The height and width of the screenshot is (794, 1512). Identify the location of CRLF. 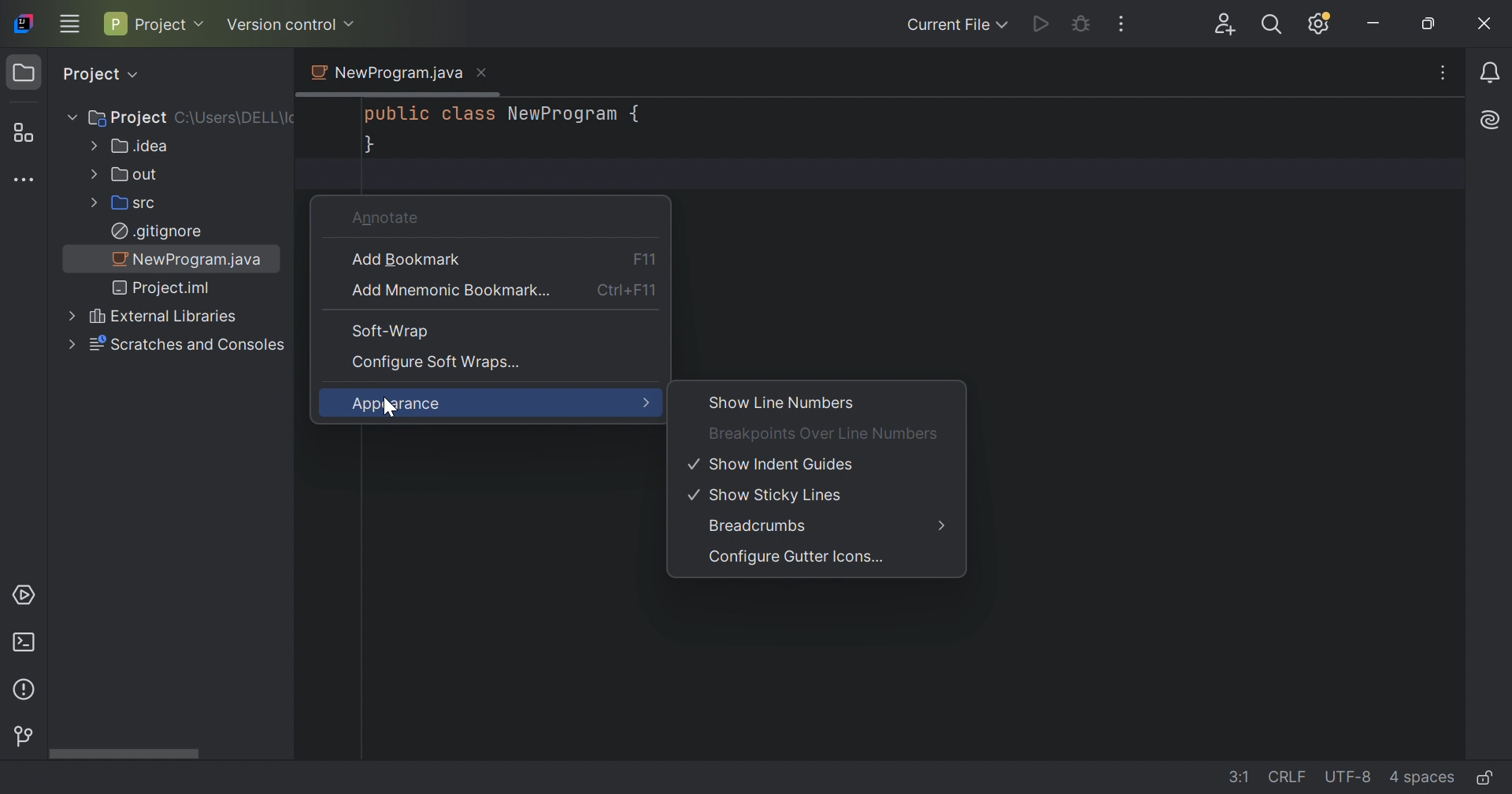
(1281, 775).